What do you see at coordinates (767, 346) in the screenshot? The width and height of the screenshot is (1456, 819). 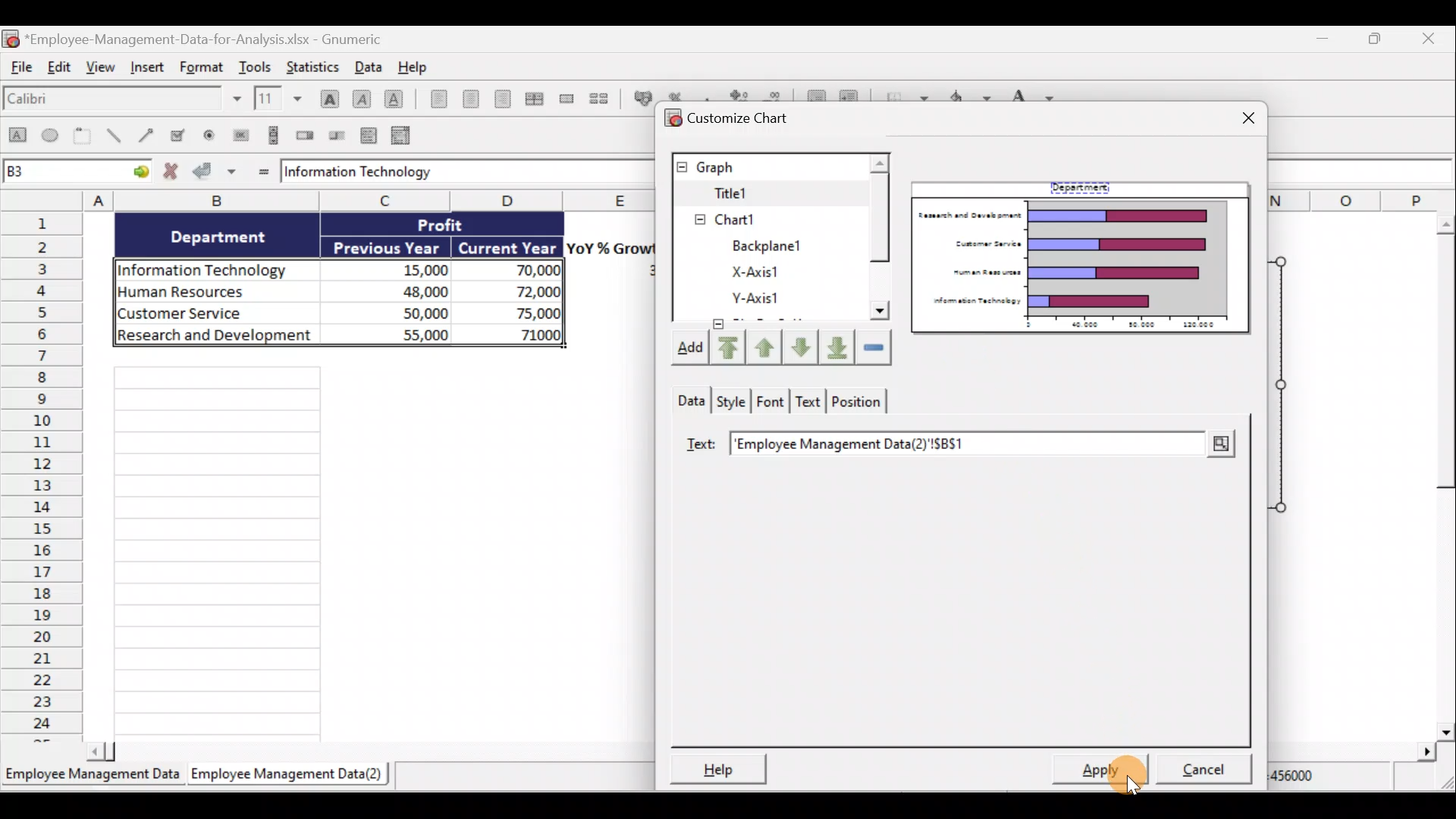 I see `Move upward` at bounding box center [767, 346].